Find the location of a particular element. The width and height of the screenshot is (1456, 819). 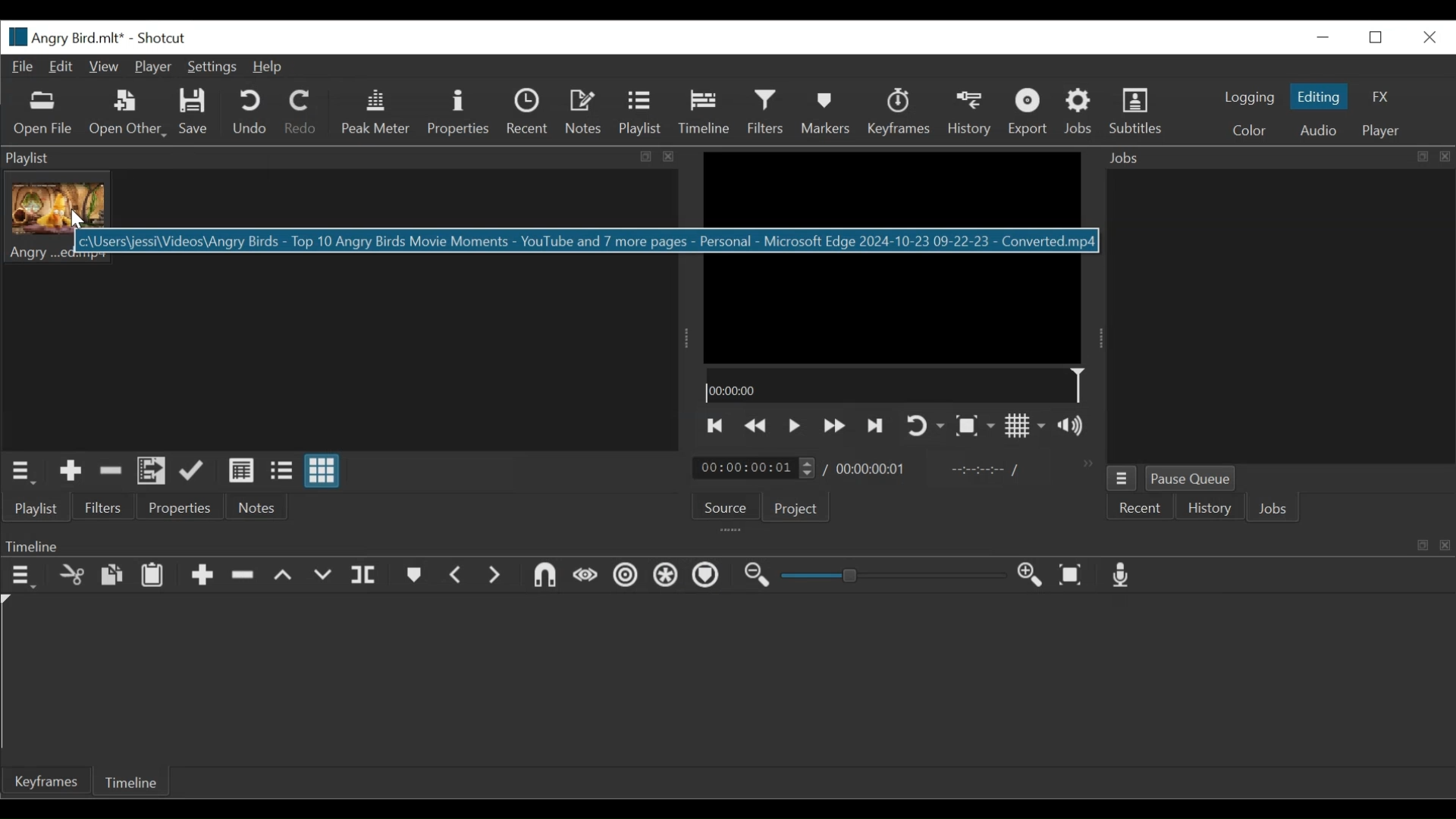

Player is located at coordinates (152, 67).